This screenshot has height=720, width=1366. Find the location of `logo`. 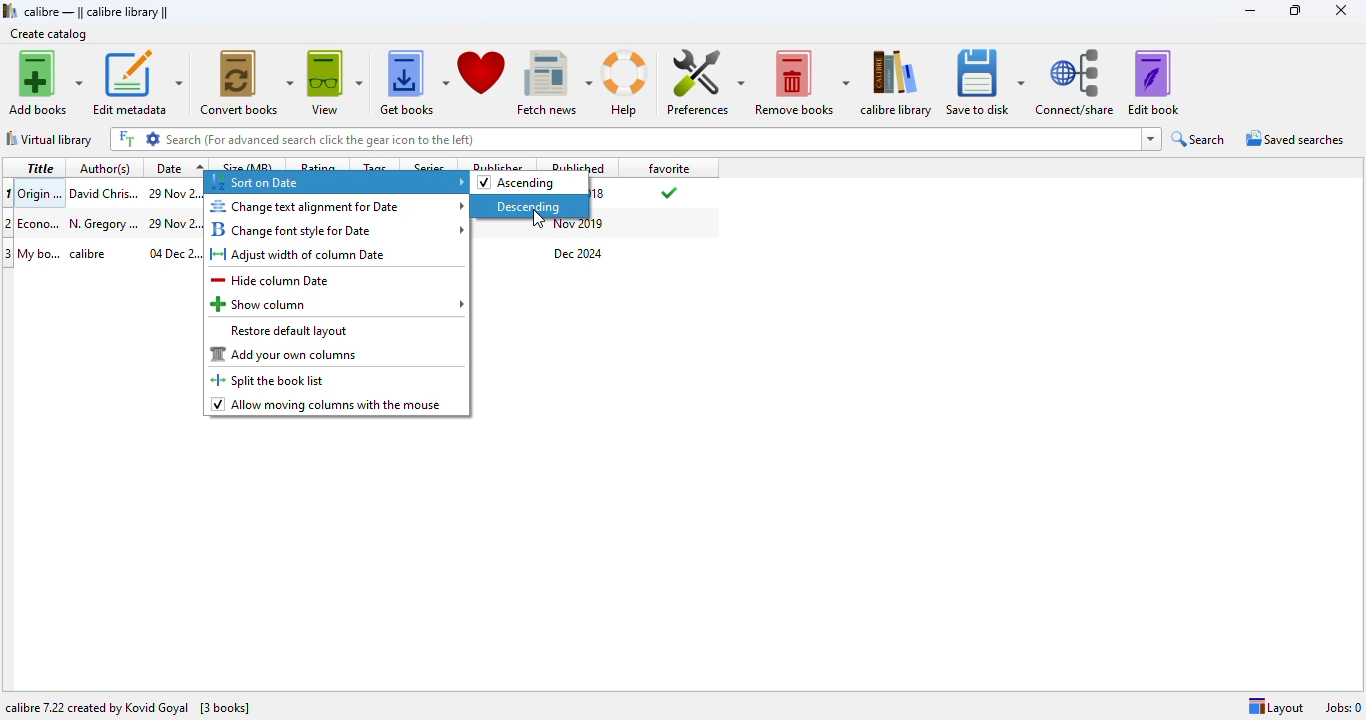

logo is located at coordinates (10, 10).